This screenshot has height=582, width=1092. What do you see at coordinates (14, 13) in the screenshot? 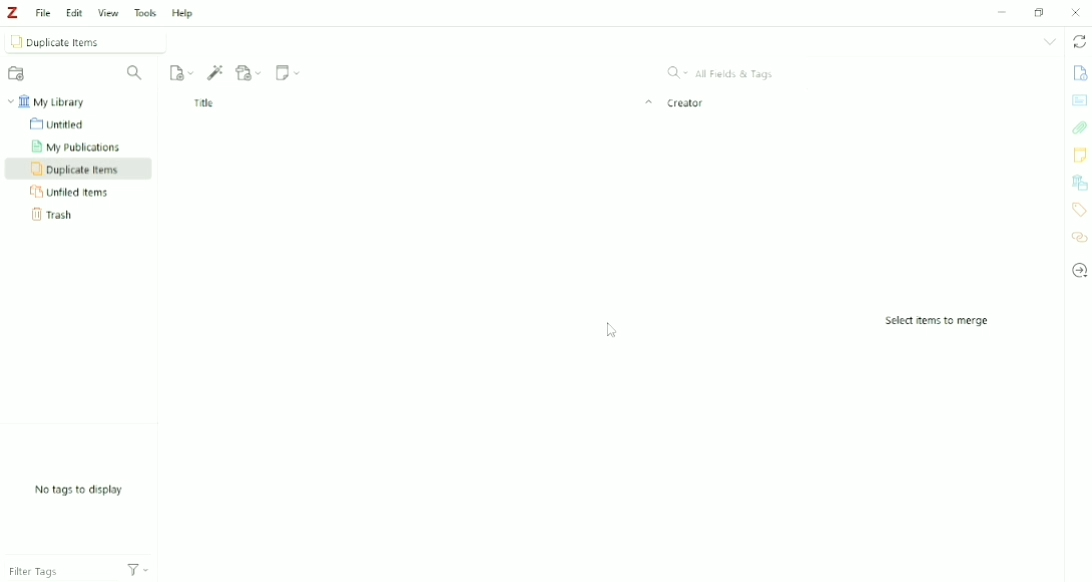
I see `Logo` at bounding box center [14, 13].